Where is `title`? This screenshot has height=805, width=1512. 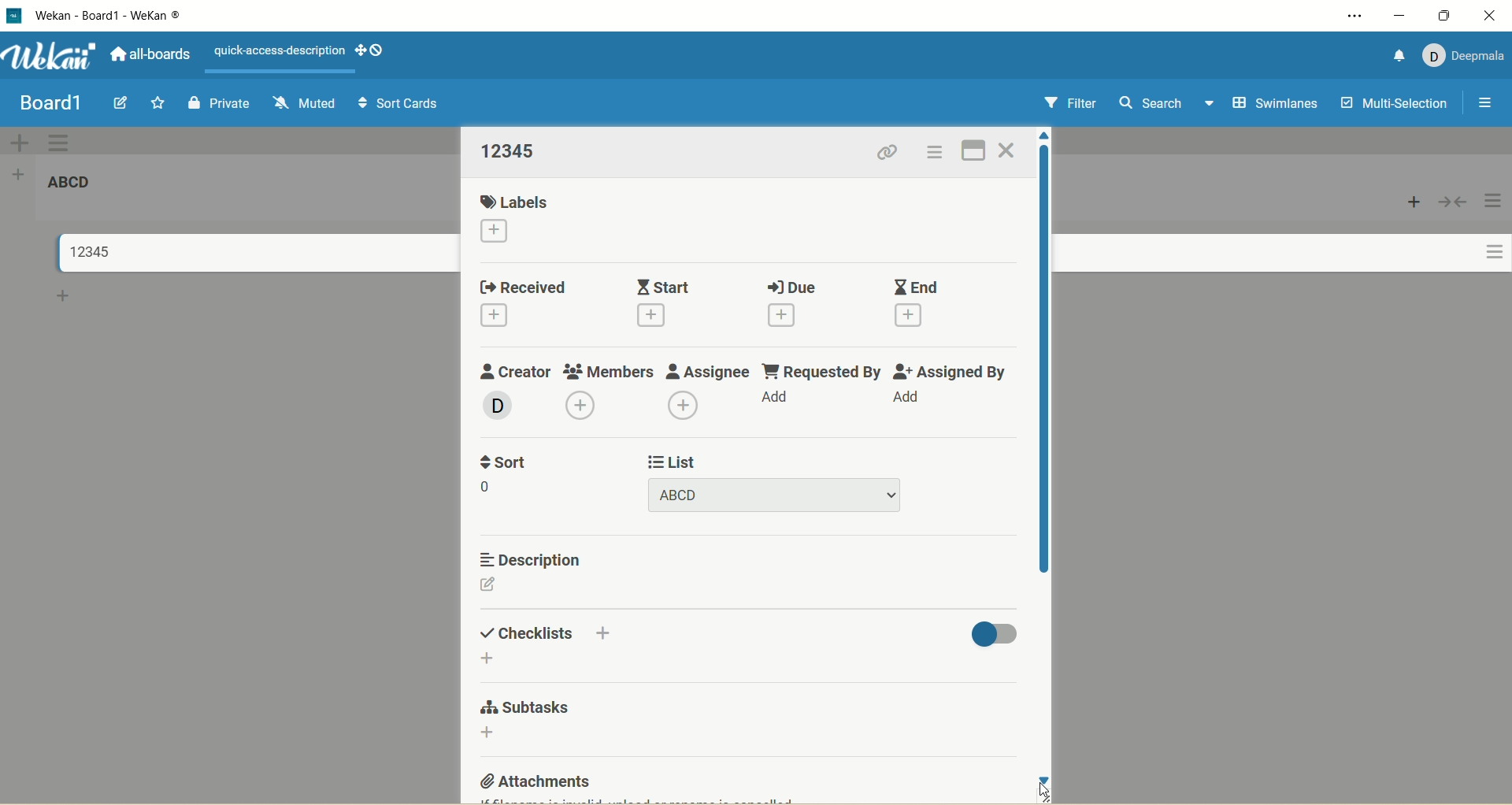
title is located at coordinates (777, 495).